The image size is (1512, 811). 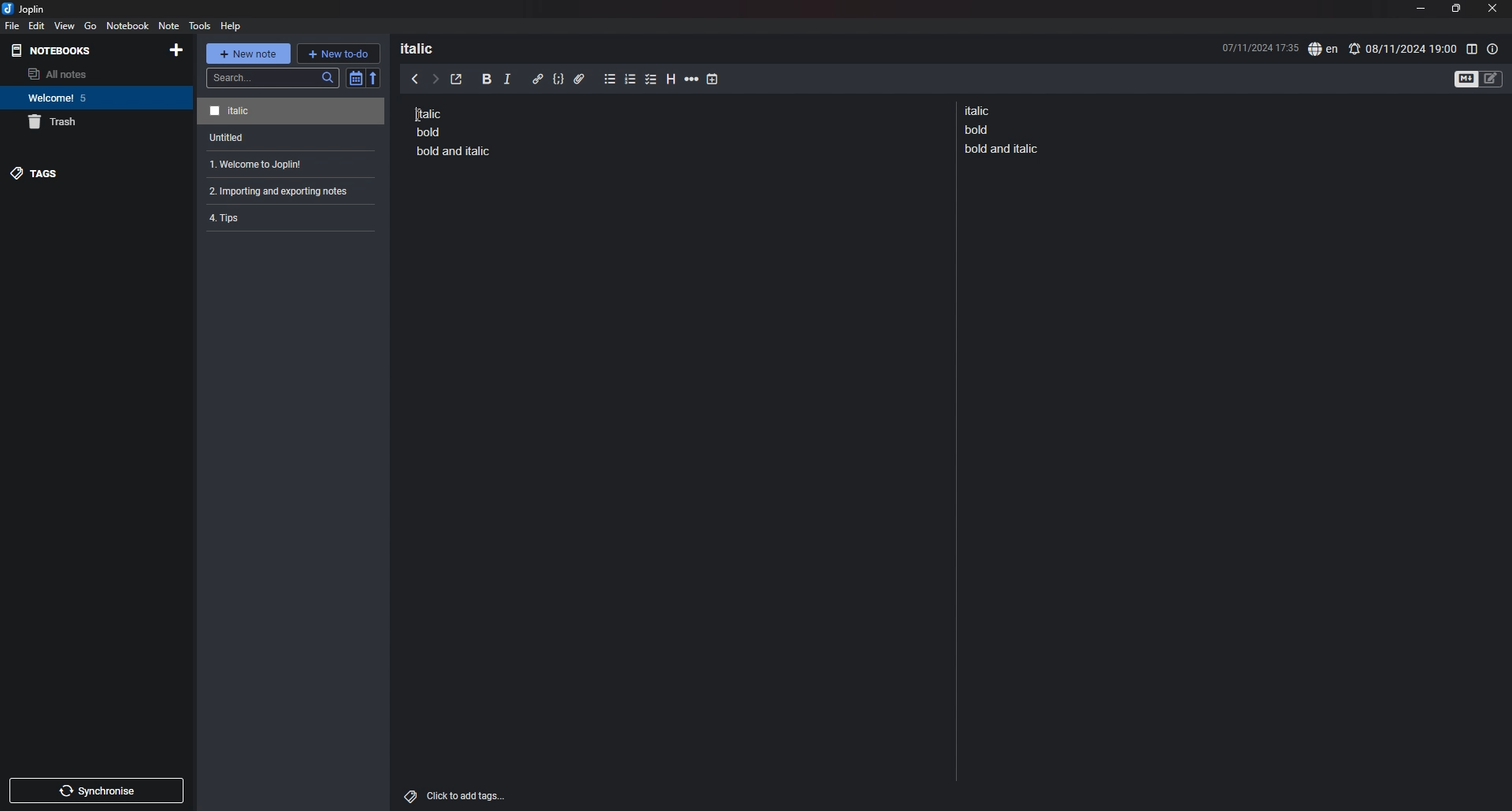 What do you see at coordinates (247, 54) in the screenshot?
I see `new note` at bounding box center [247, 54].